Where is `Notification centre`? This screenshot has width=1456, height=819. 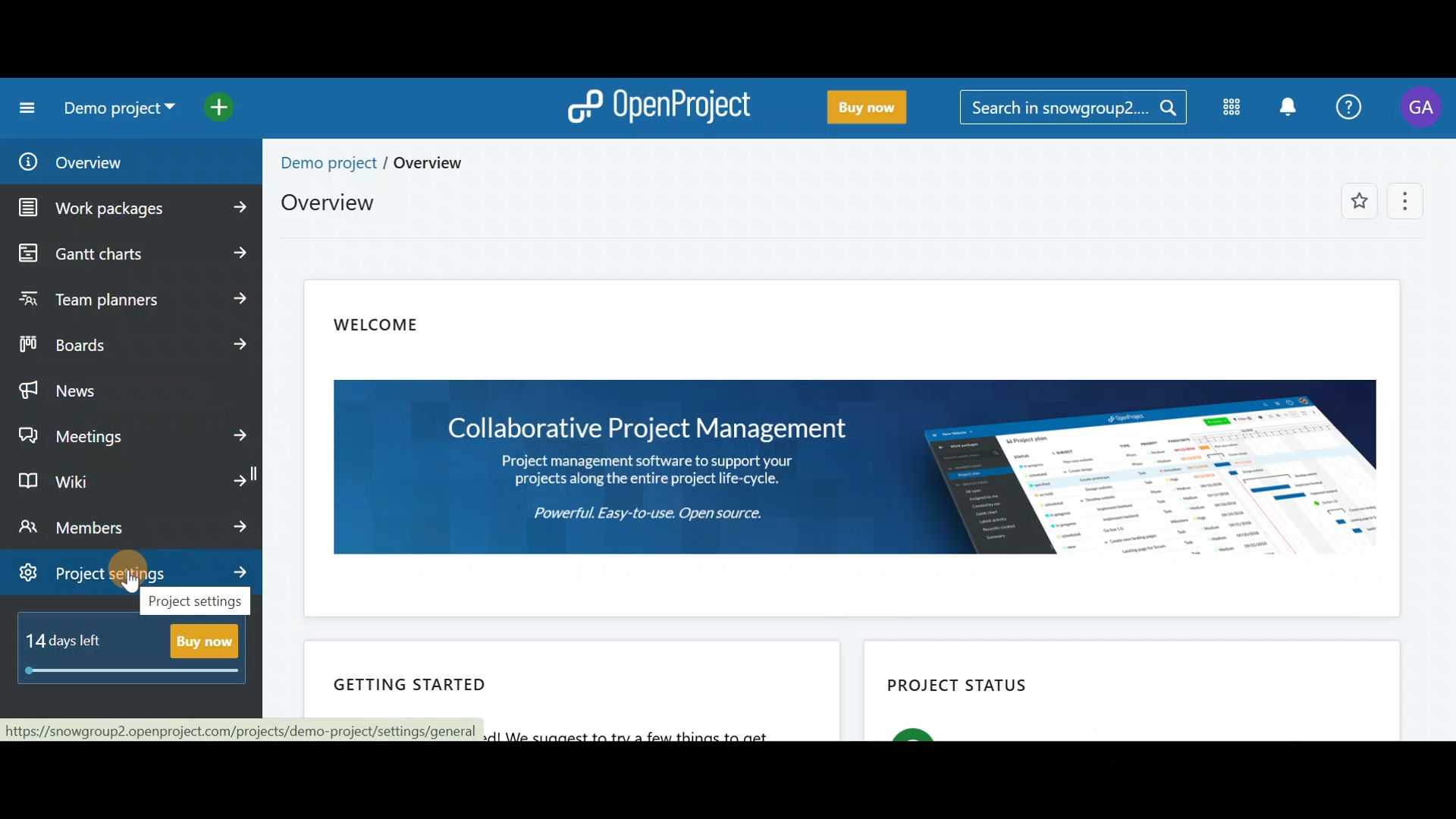
Notification centre is located at coordinates (1291, 111).